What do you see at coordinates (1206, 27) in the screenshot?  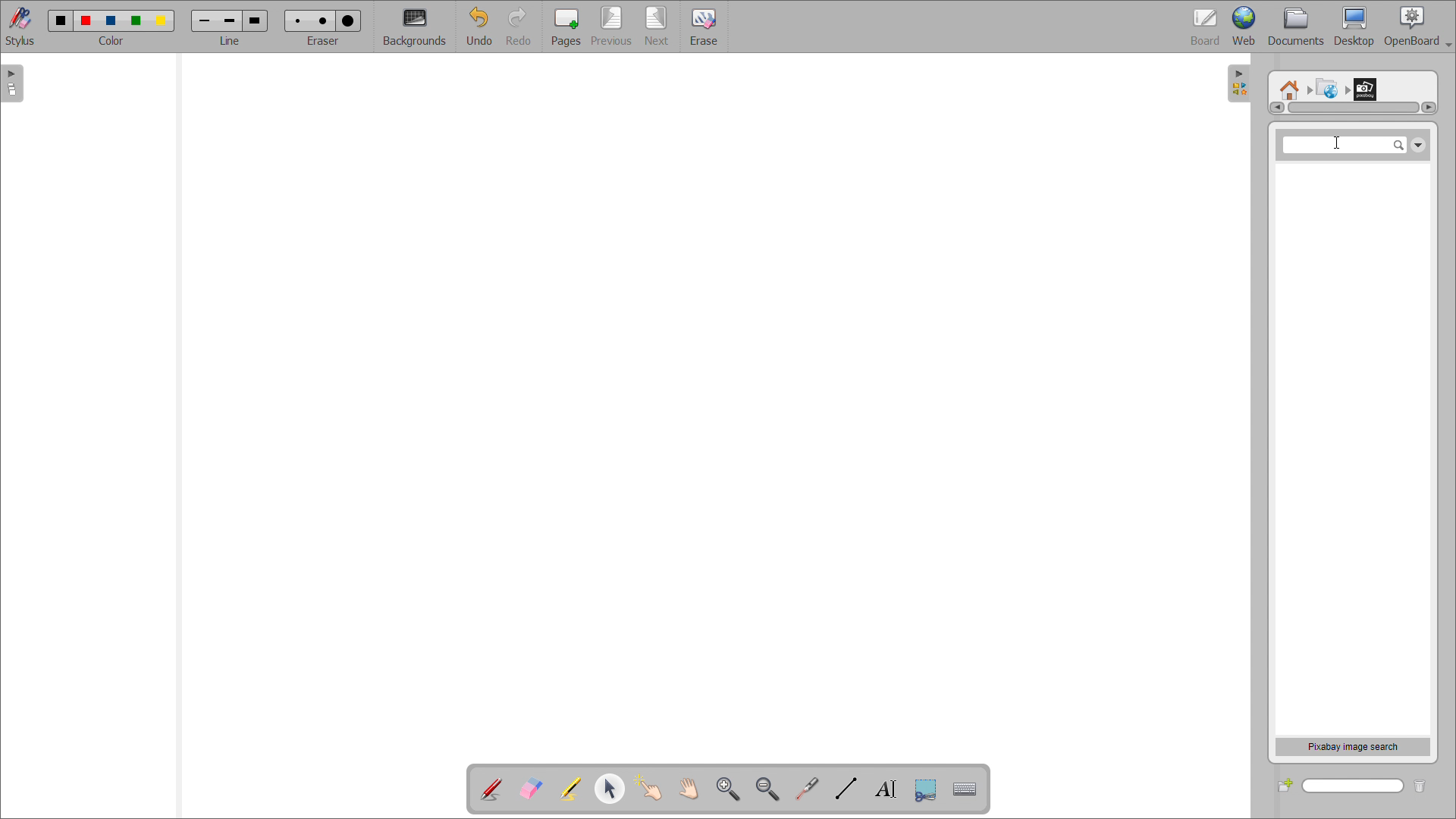 I see `board` at bounding box center [1206, 27].